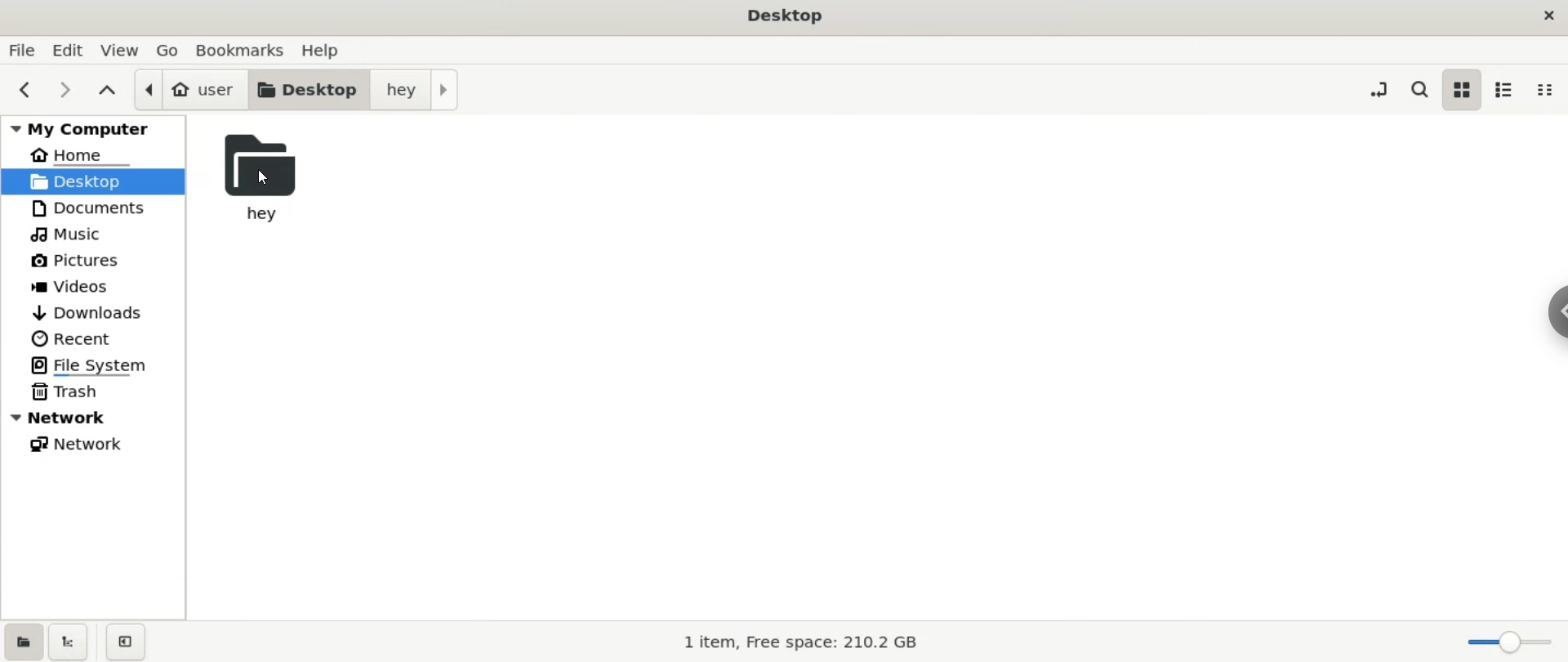  I want to click on downloads, so click(96, 310).